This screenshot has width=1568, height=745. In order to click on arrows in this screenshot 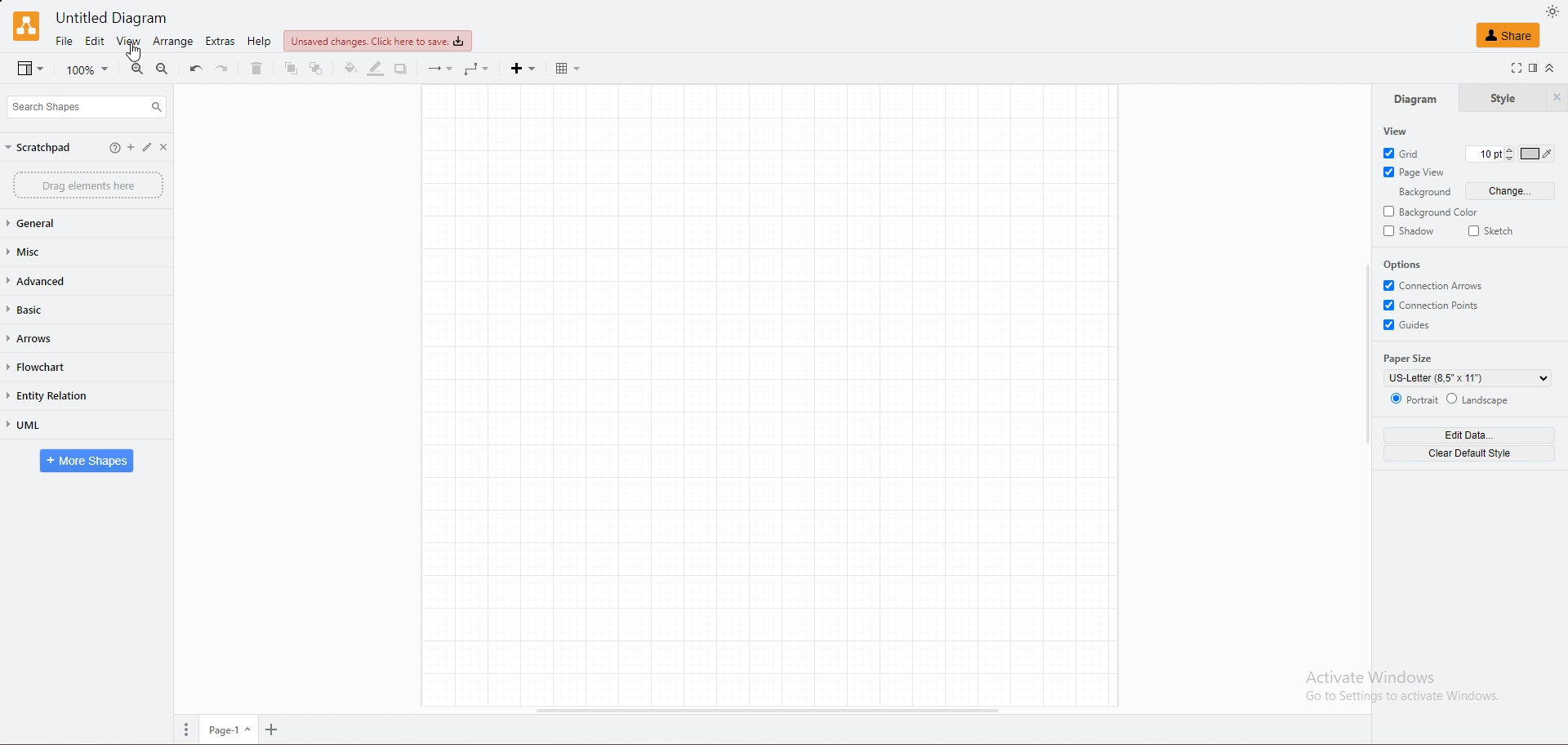, I will do `click(52, 337)`.